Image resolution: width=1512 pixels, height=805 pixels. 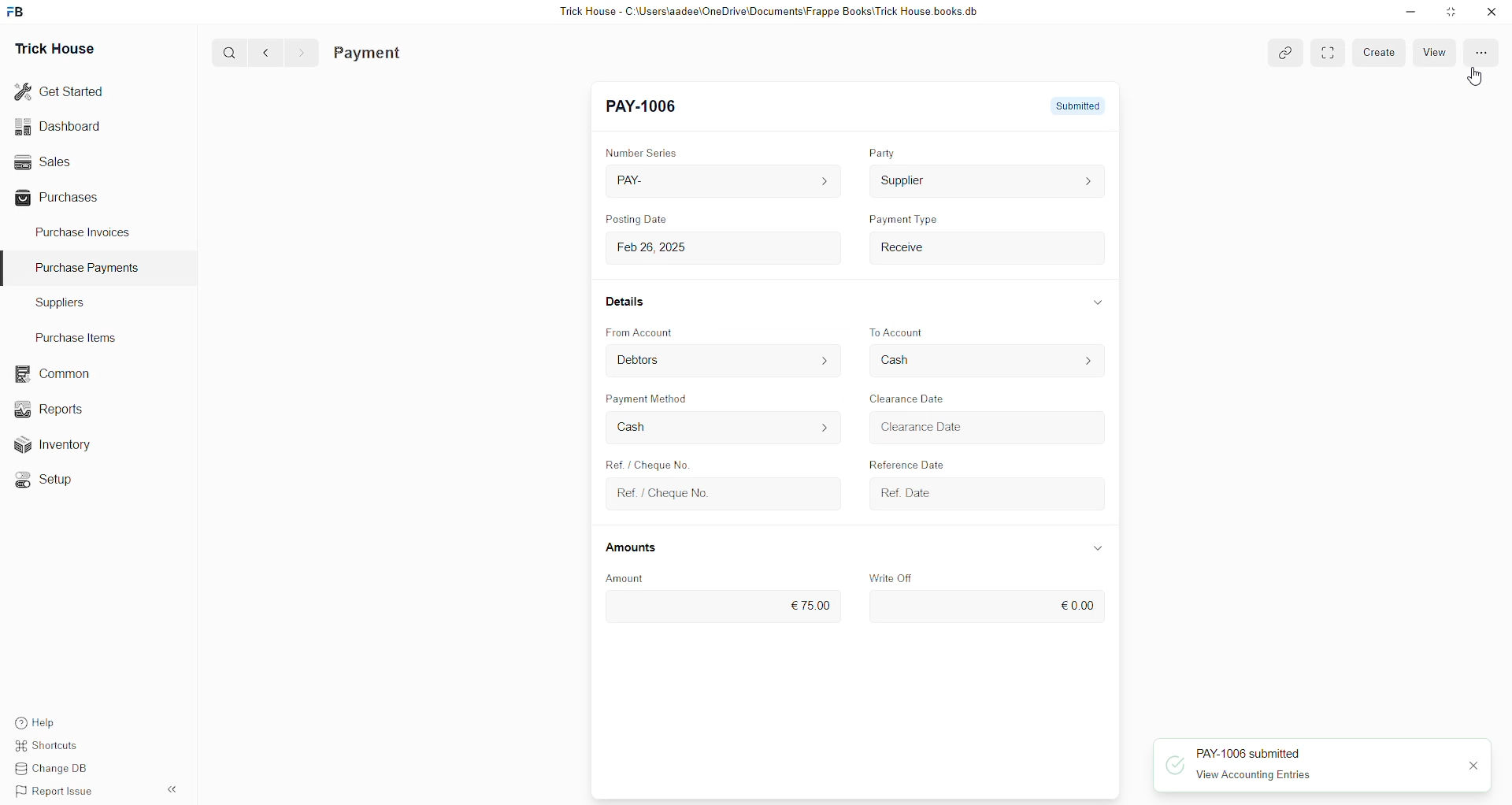 I want to click on Party, so click(x=880, y=154).